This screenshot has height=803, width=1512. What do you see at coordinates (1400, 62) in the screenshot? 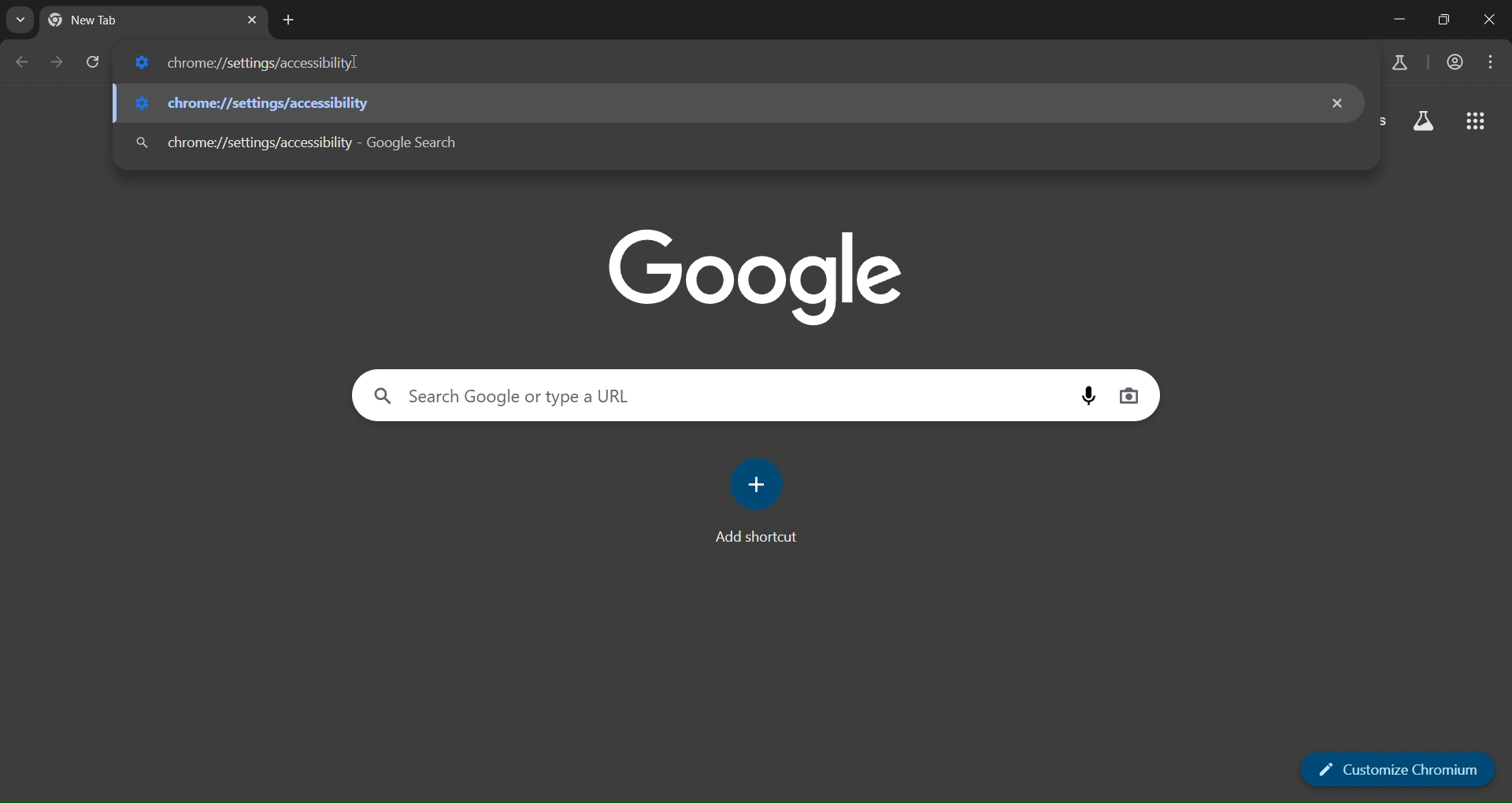
I see `earch labs` at bounding box center [1400, 62].